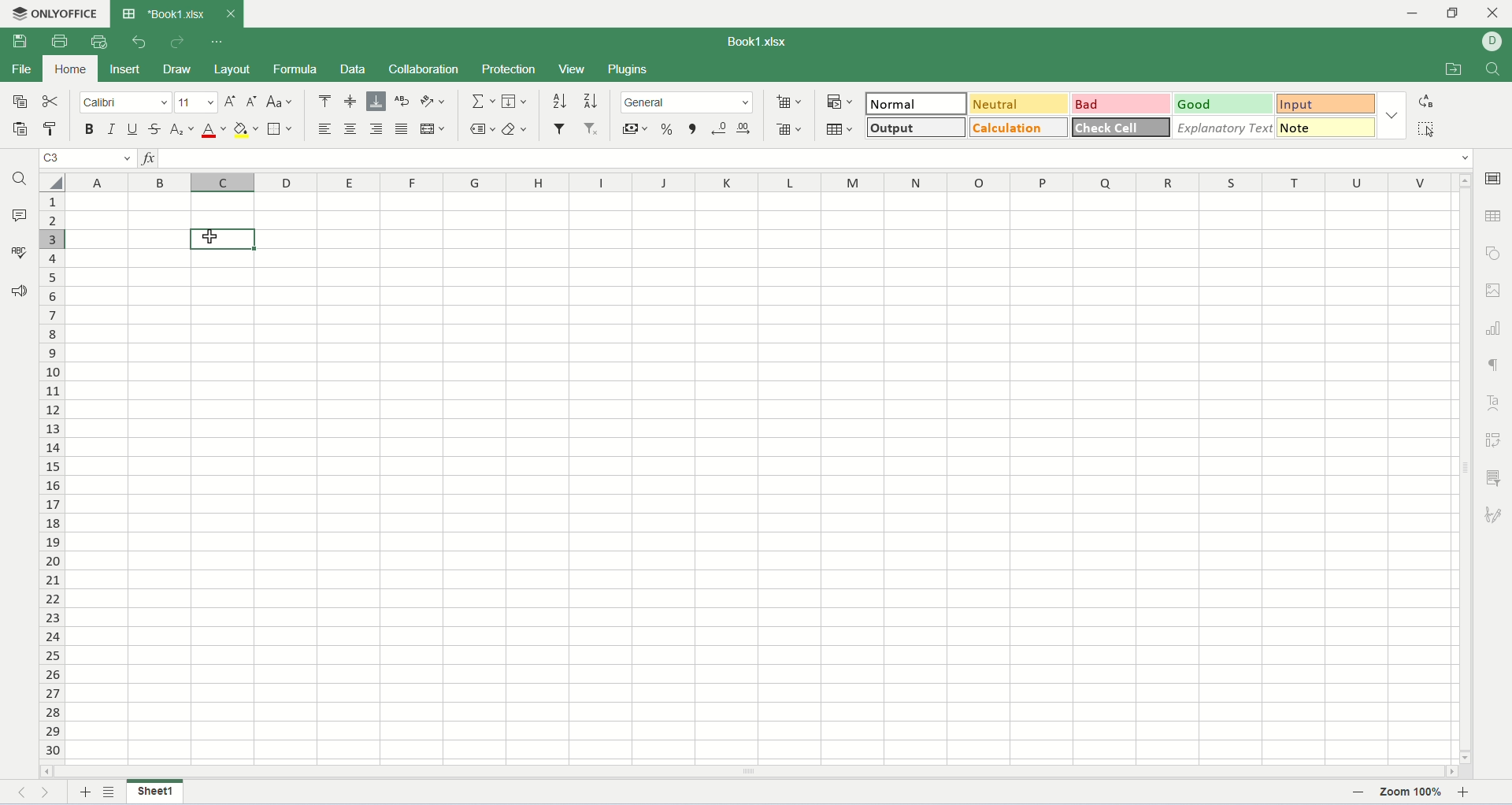  What do you see at coordinates (1429, 128) in the screenshot?
I see `select all` at bounding box center [1429, 128].